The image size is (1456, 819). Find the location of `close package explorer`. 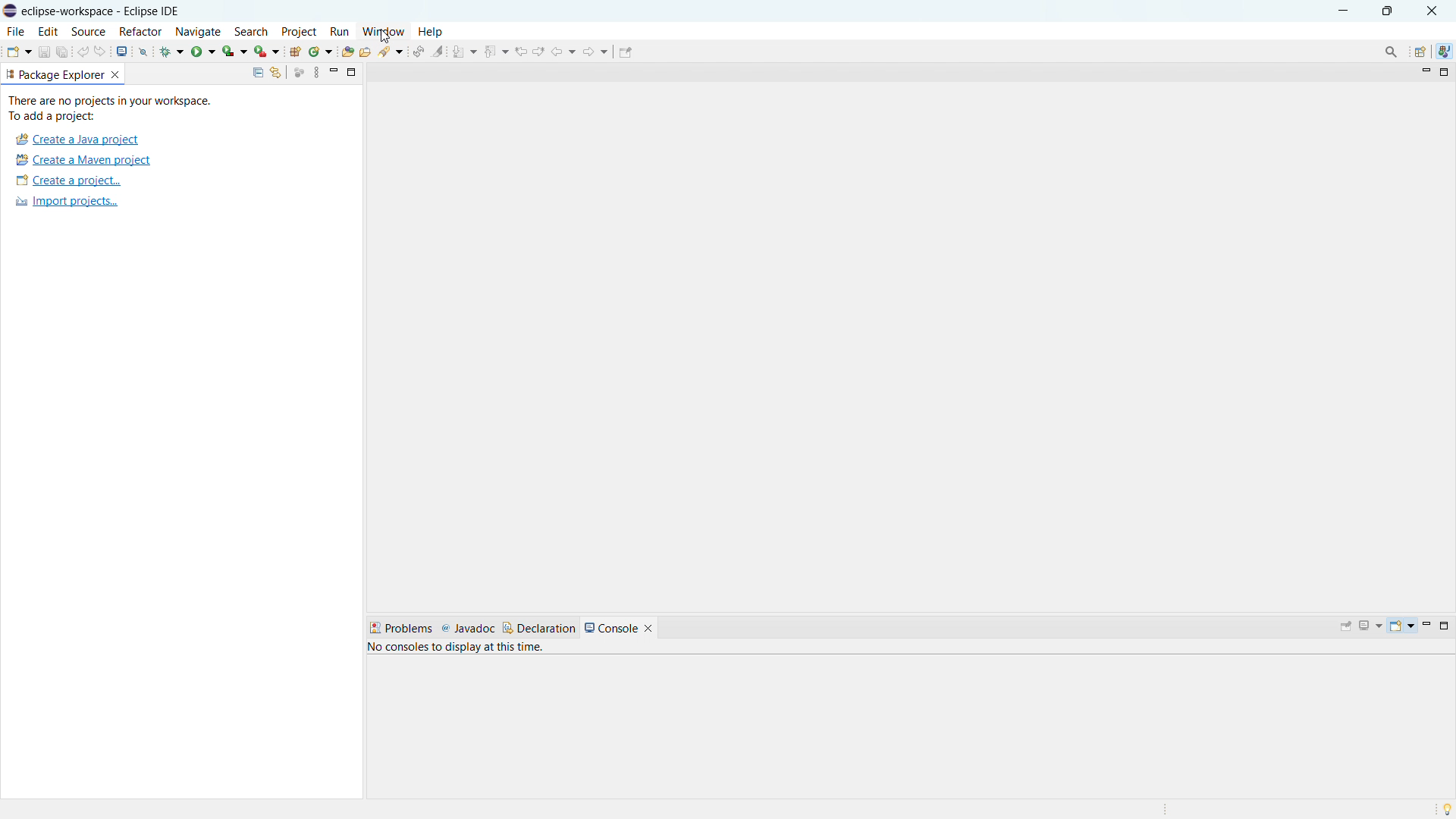

close package explorer is located at coordinates (118, 74).